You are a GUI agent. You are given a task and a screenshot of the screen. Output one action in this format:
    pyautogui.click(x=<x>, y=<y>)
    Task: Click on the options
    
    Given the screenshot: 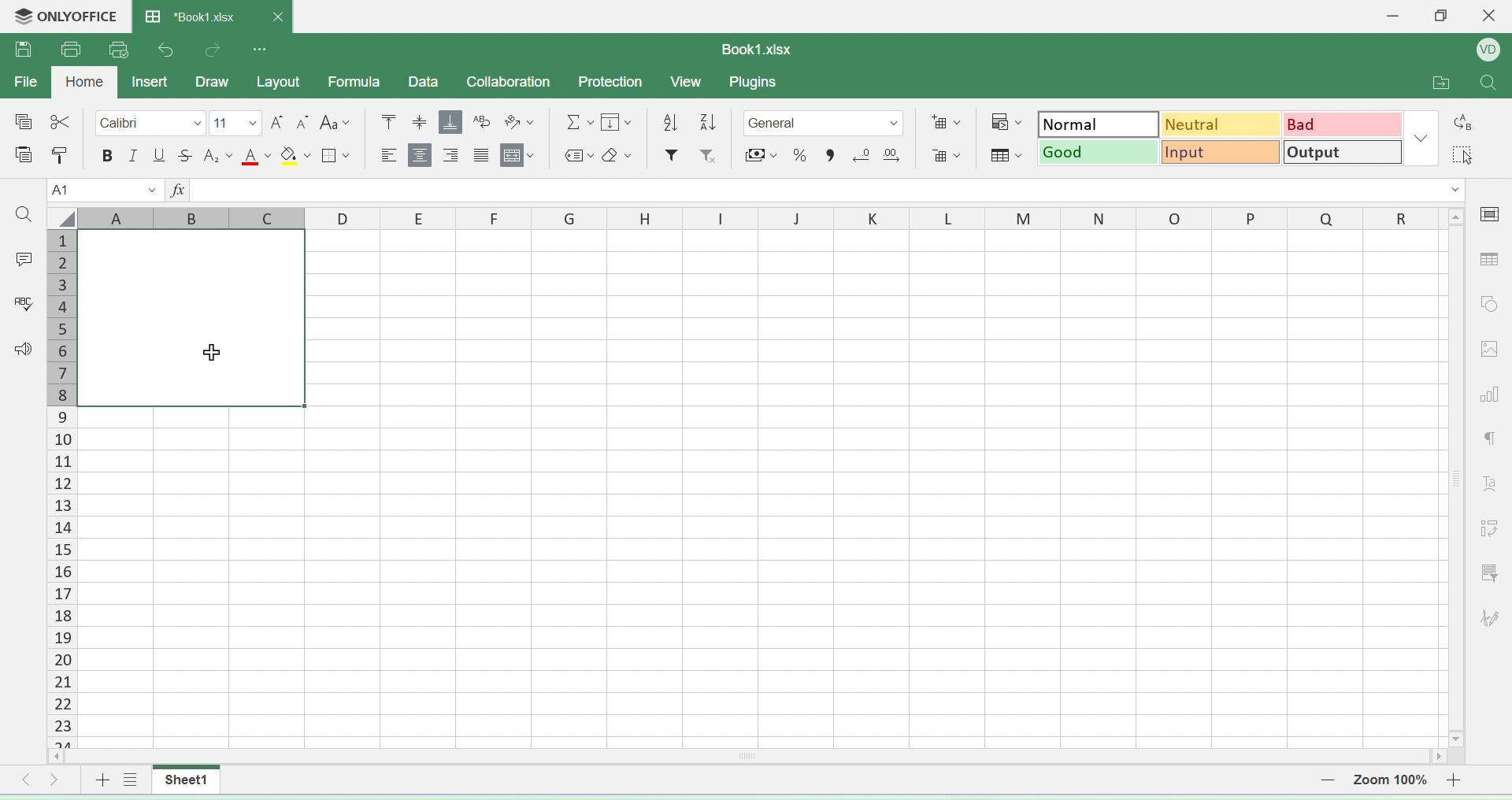 What is the action you would take?
    pyautogui.click(x=258, y=47)
    